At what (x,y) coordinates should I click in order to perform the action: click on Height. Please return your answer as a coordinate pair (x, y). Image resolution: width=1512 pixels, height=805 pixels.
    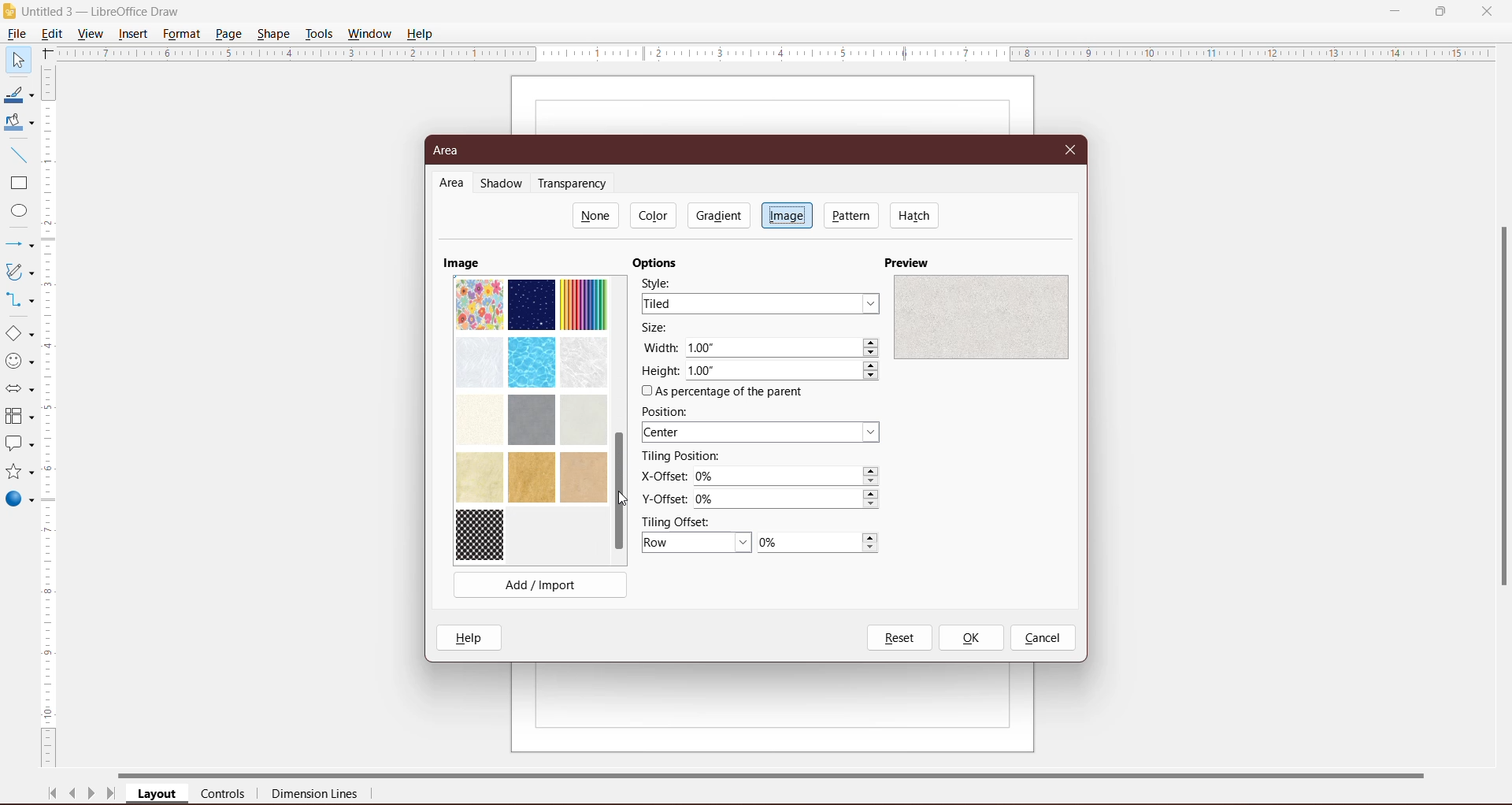
    Looking at the image, I should click on (660, 371).